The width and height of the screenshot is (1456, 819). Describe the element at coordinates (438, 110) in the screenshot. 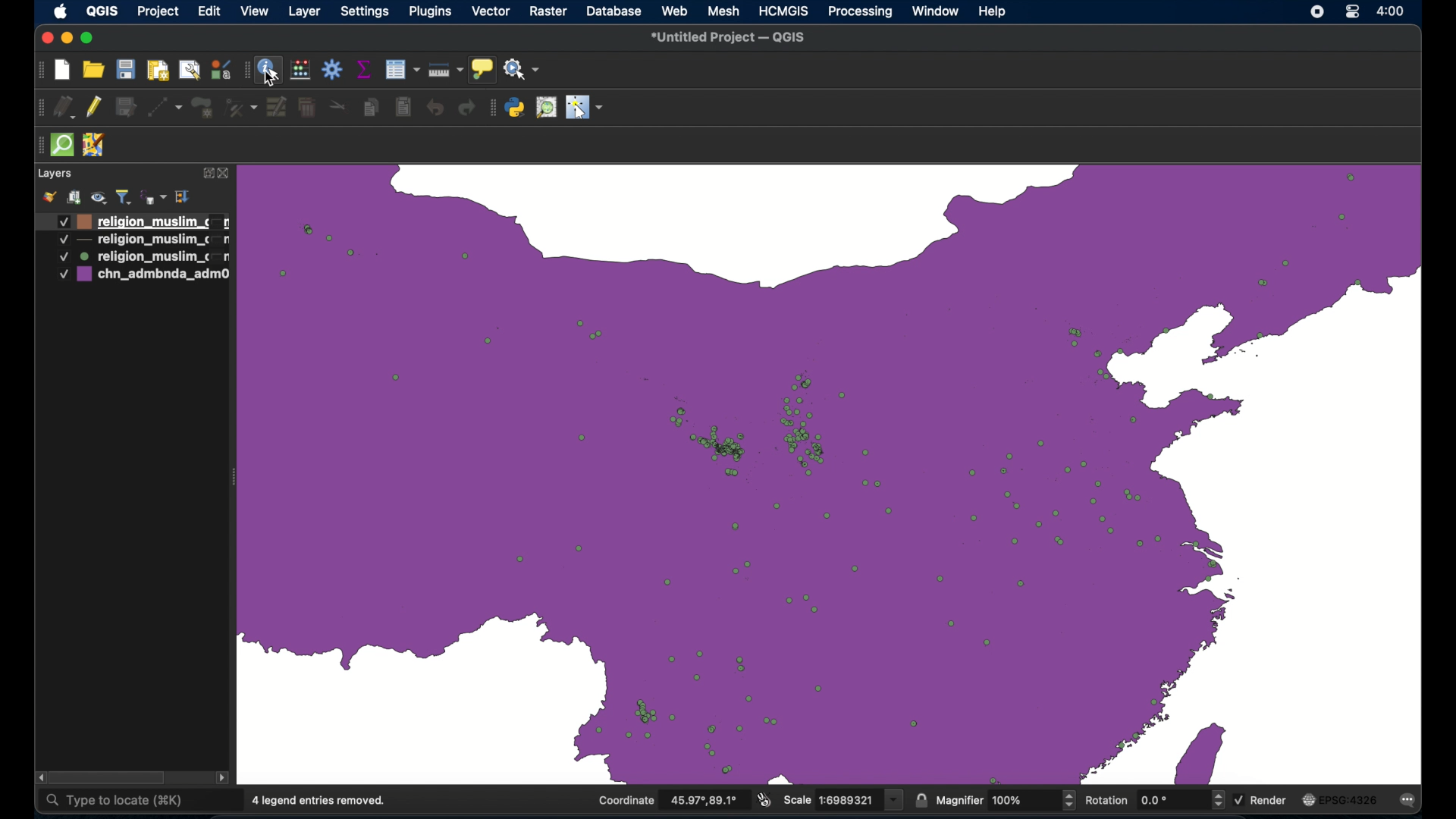

I see `undo` at that location.